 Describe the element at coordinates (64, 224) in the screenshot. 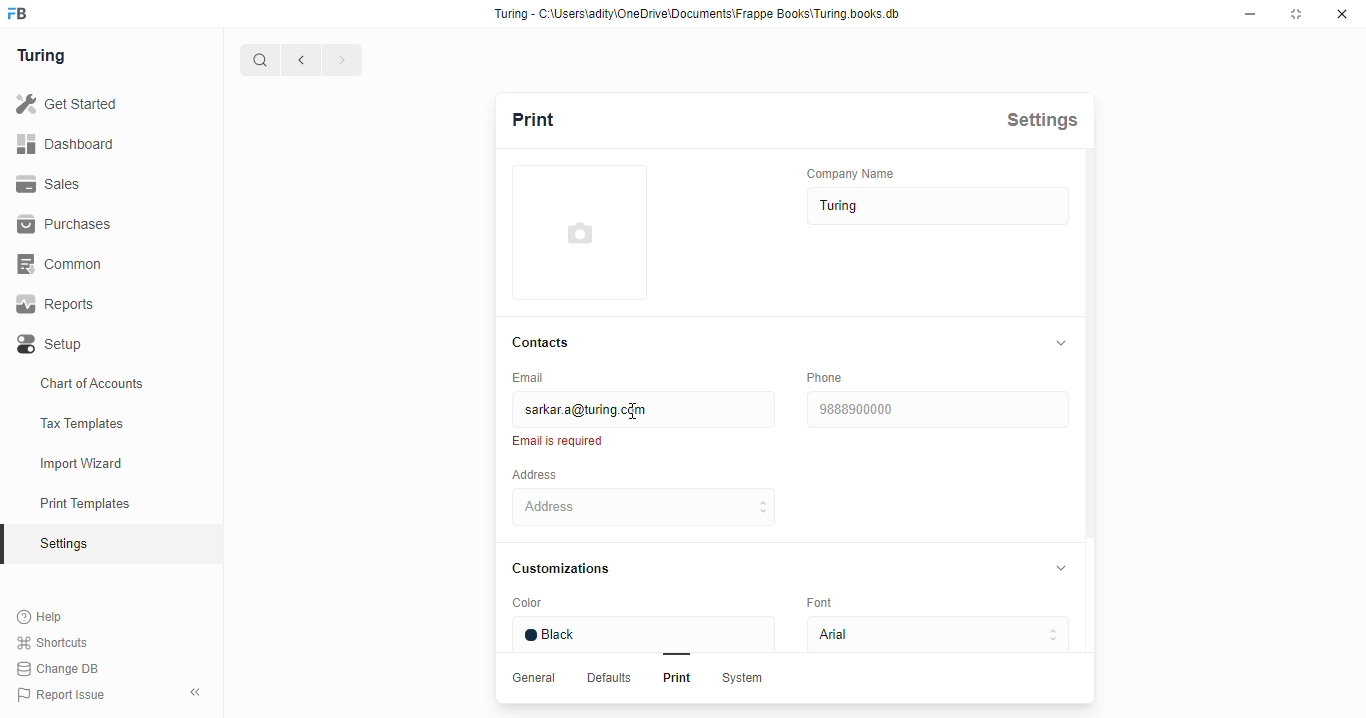

I see `Purchases` at that location.